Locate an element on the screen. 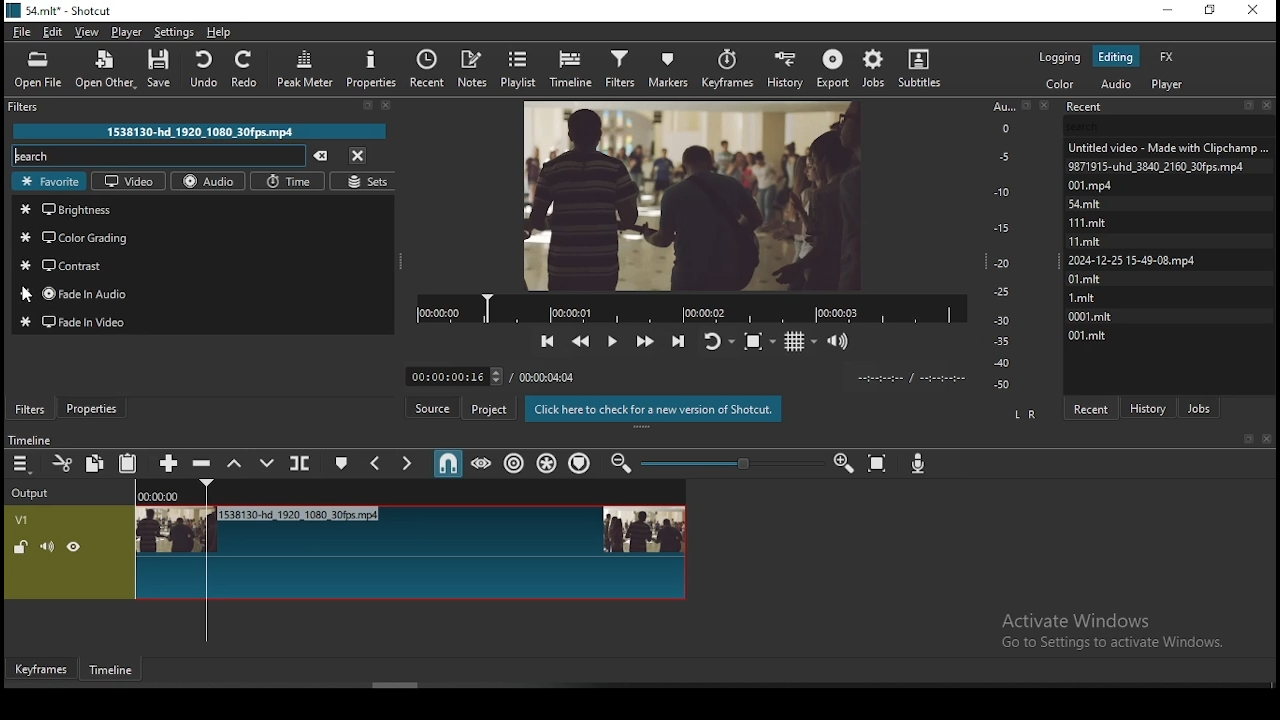 This screenshot has height=720, width=1280. history is located at coordinates (786, 67).